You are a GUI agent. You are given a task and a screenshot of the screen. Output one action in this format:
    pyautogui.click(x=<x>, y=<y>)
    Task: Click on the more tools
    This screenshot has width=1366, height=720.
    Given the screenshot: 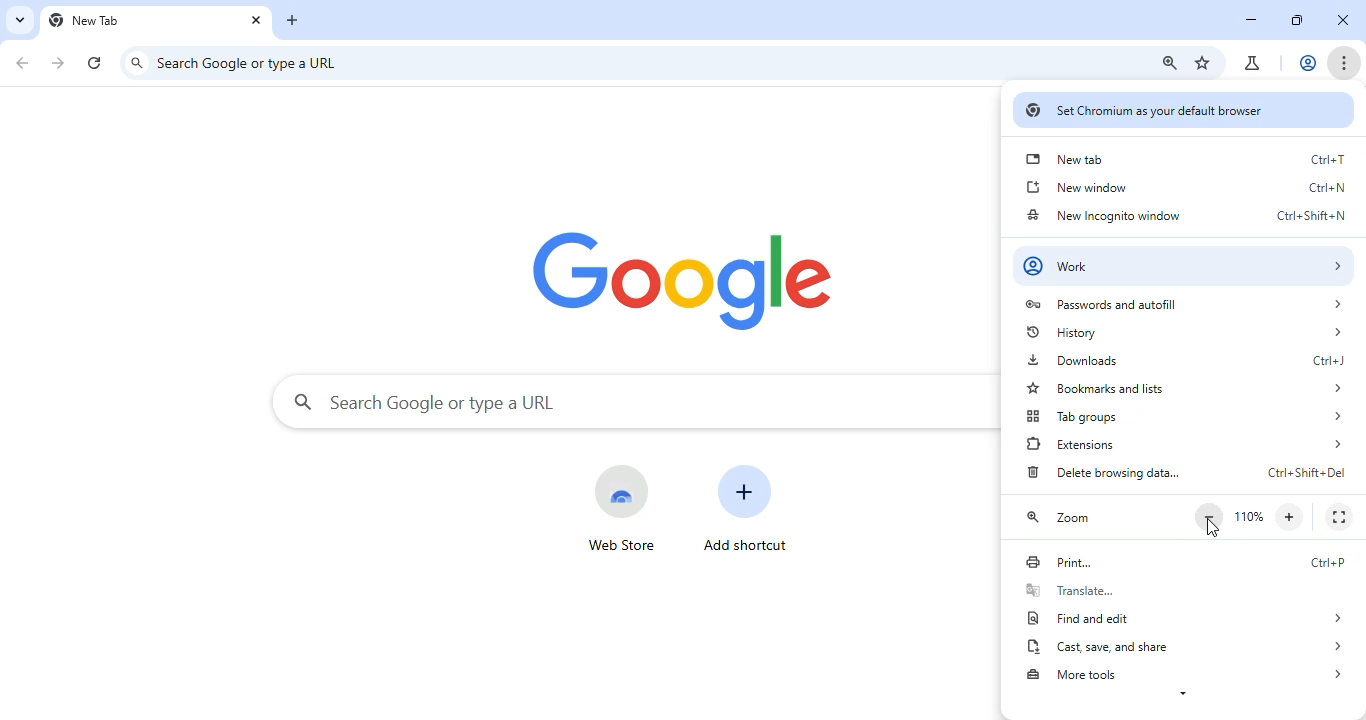 What is the action you would take?
    pyautogui.click(x=1188, y=674)
    